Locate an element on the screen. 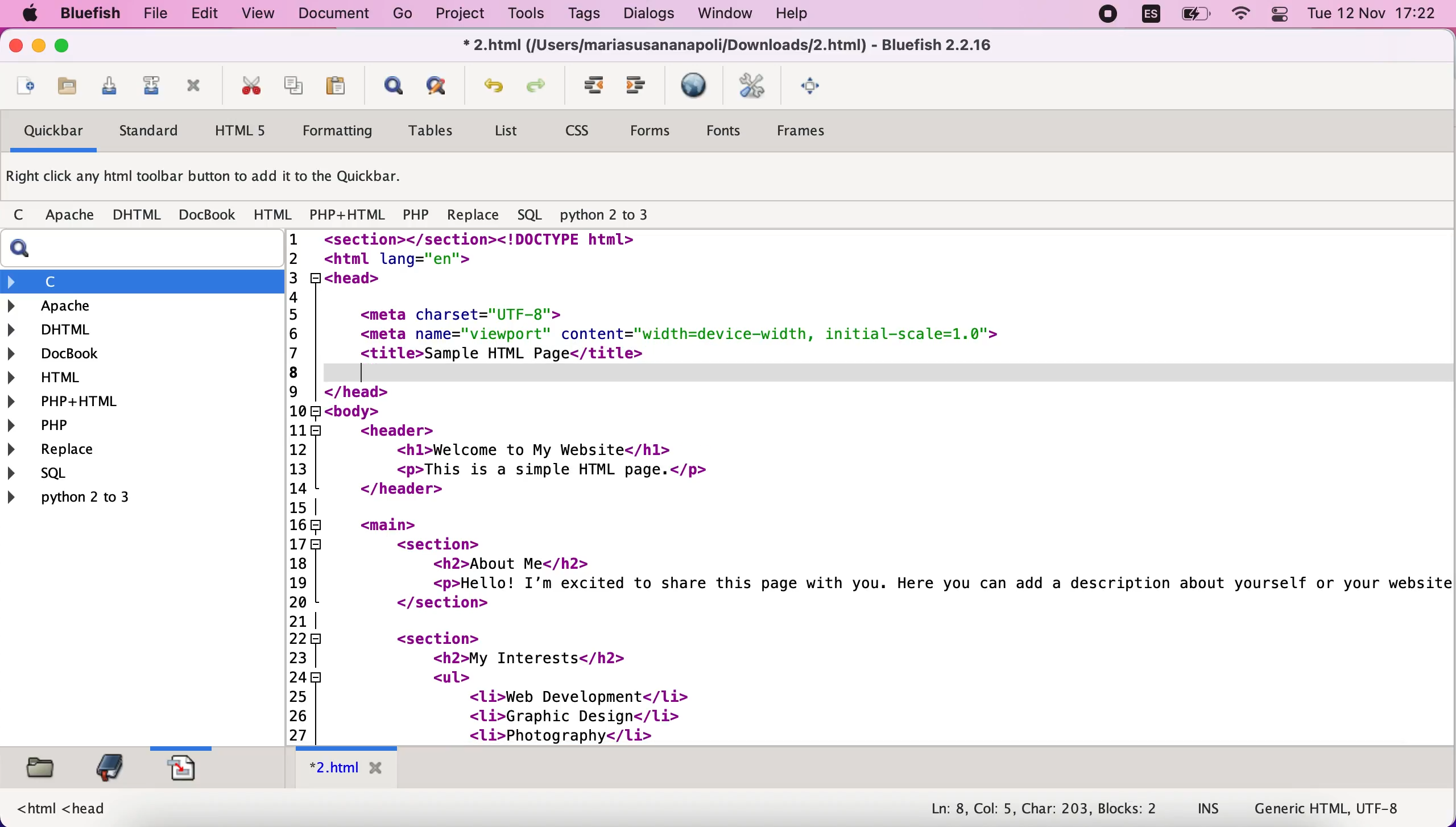 This screenshot has width=1456, height=827. *2.html is located at coordinates (349, 767).